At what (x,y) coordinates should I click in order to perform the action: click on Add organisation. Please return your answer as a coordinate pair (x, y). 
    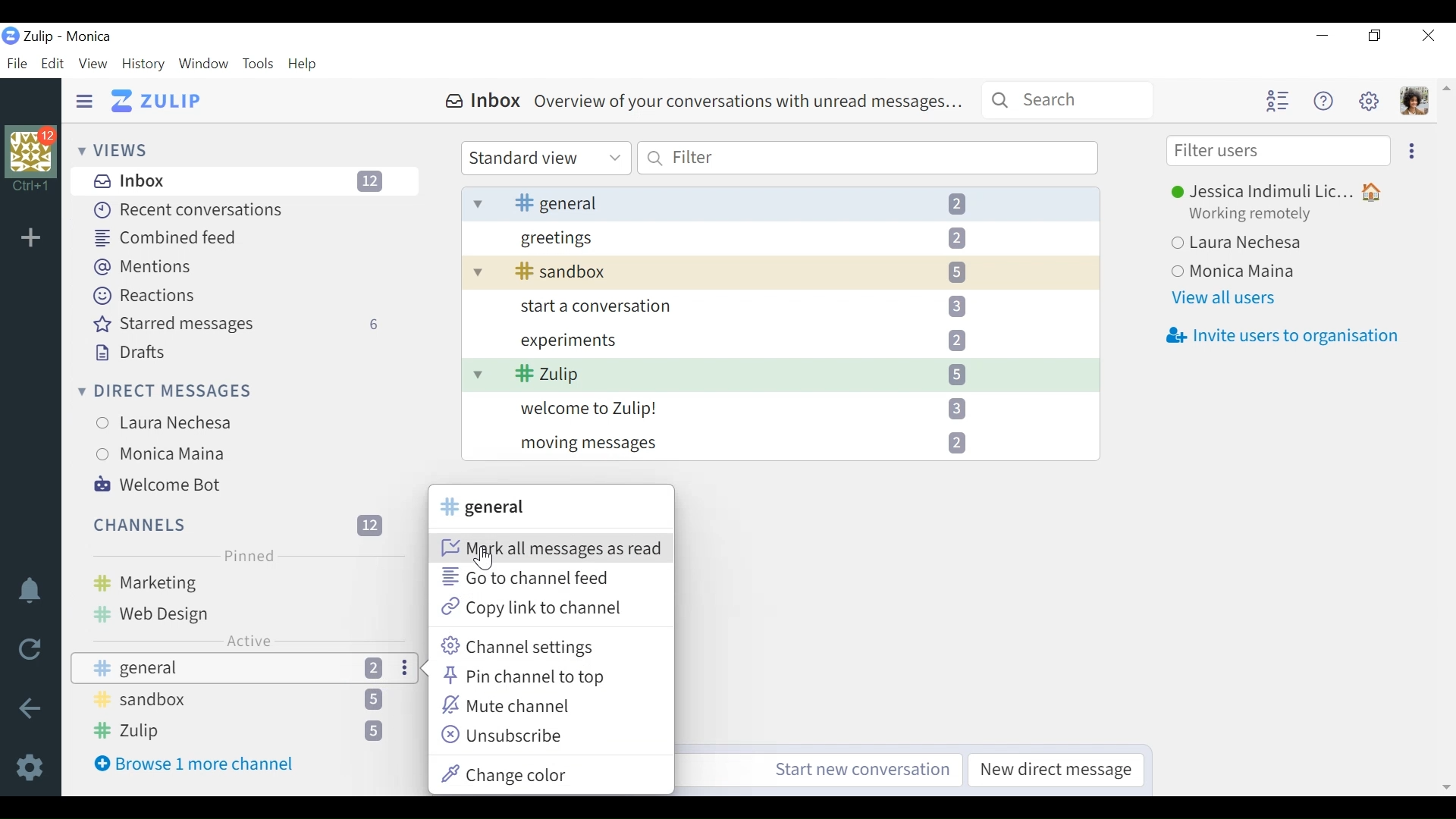
    Looking at the image, I should click on (34, 239).